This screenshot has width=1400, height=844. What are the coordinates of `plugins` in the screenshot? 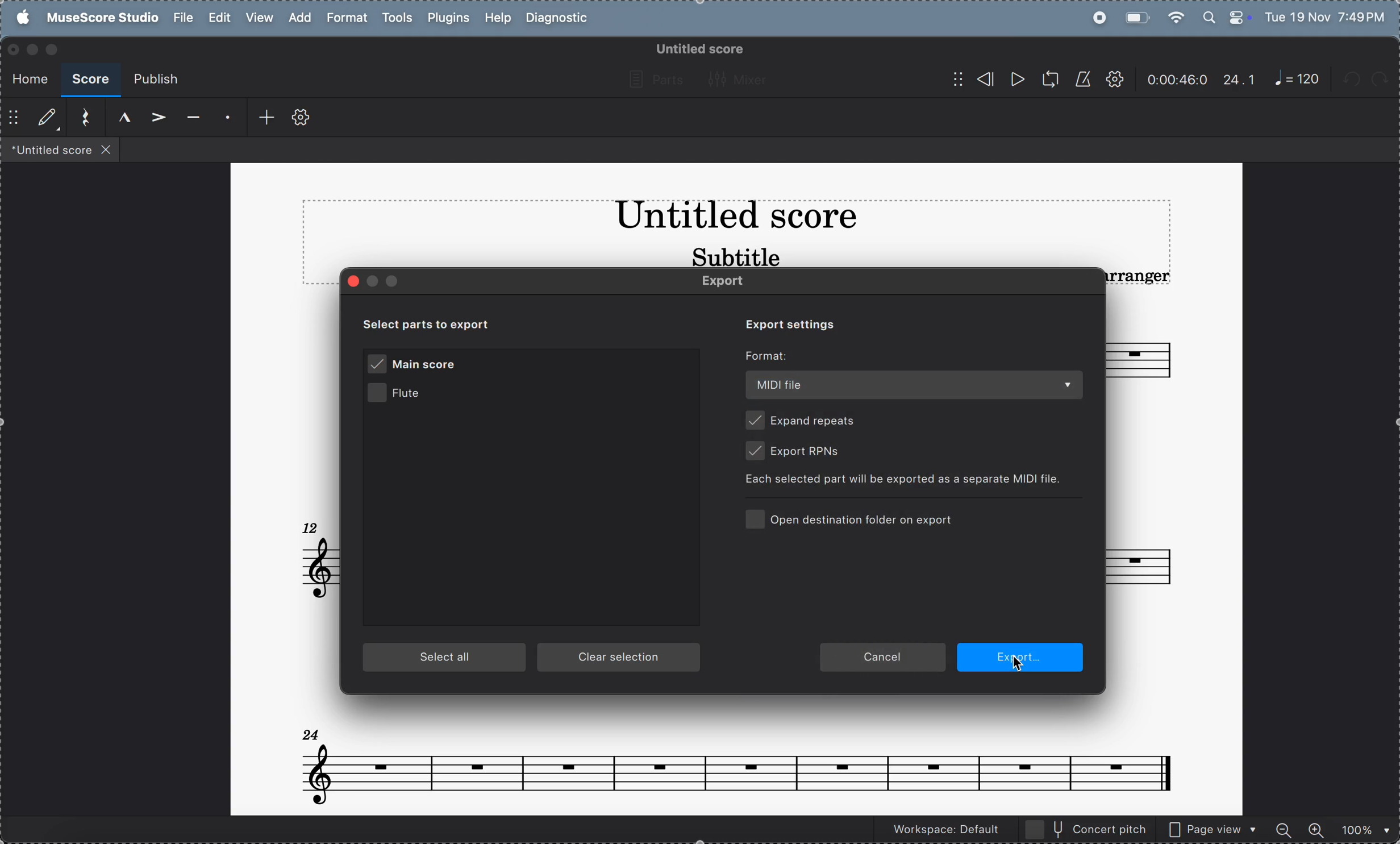 It's located at (445, 19).